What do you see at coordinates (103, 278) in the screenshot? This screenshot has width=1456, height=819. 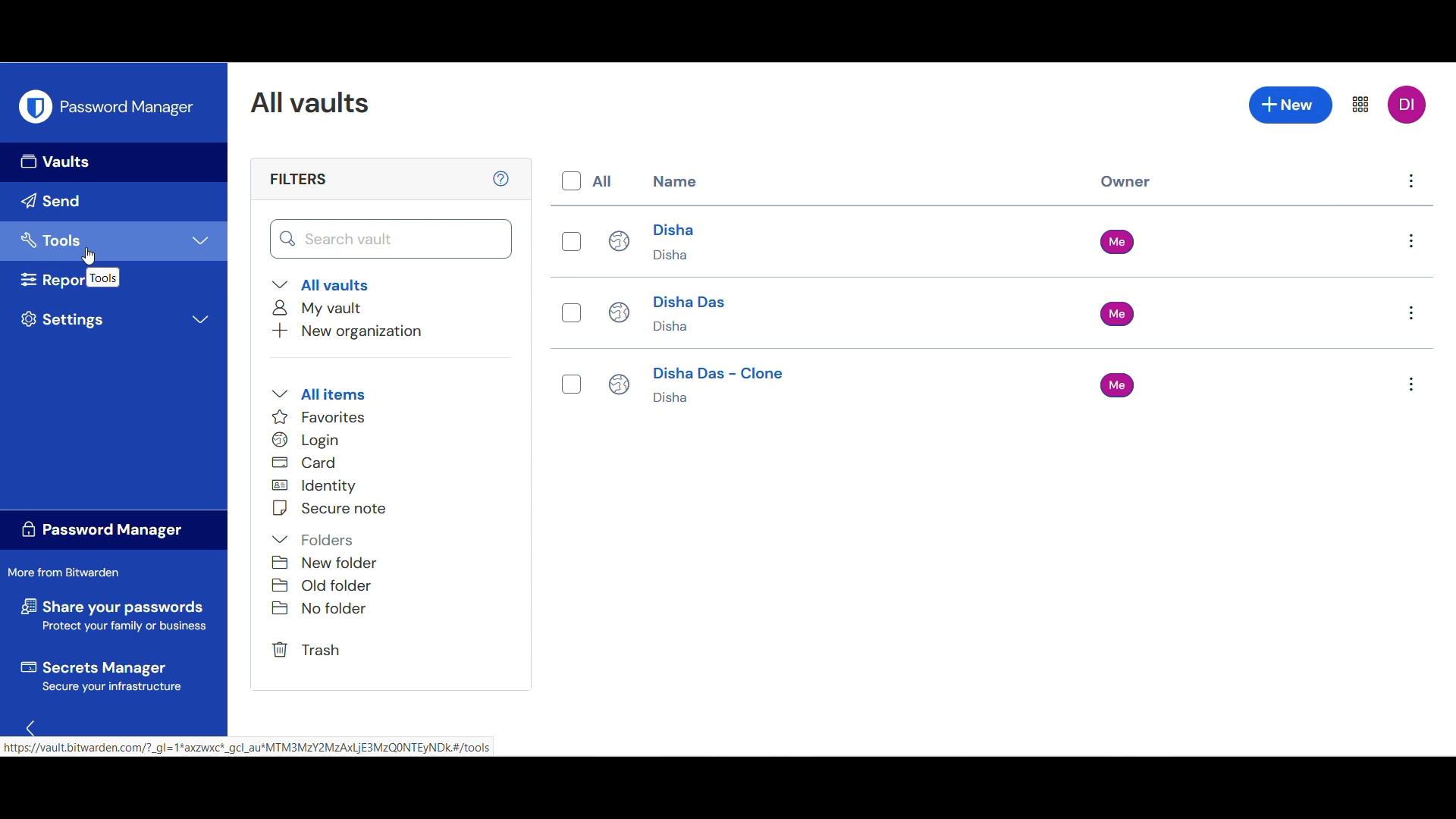 I see `Tools - description if current selection` at bounding box center [103, 278].